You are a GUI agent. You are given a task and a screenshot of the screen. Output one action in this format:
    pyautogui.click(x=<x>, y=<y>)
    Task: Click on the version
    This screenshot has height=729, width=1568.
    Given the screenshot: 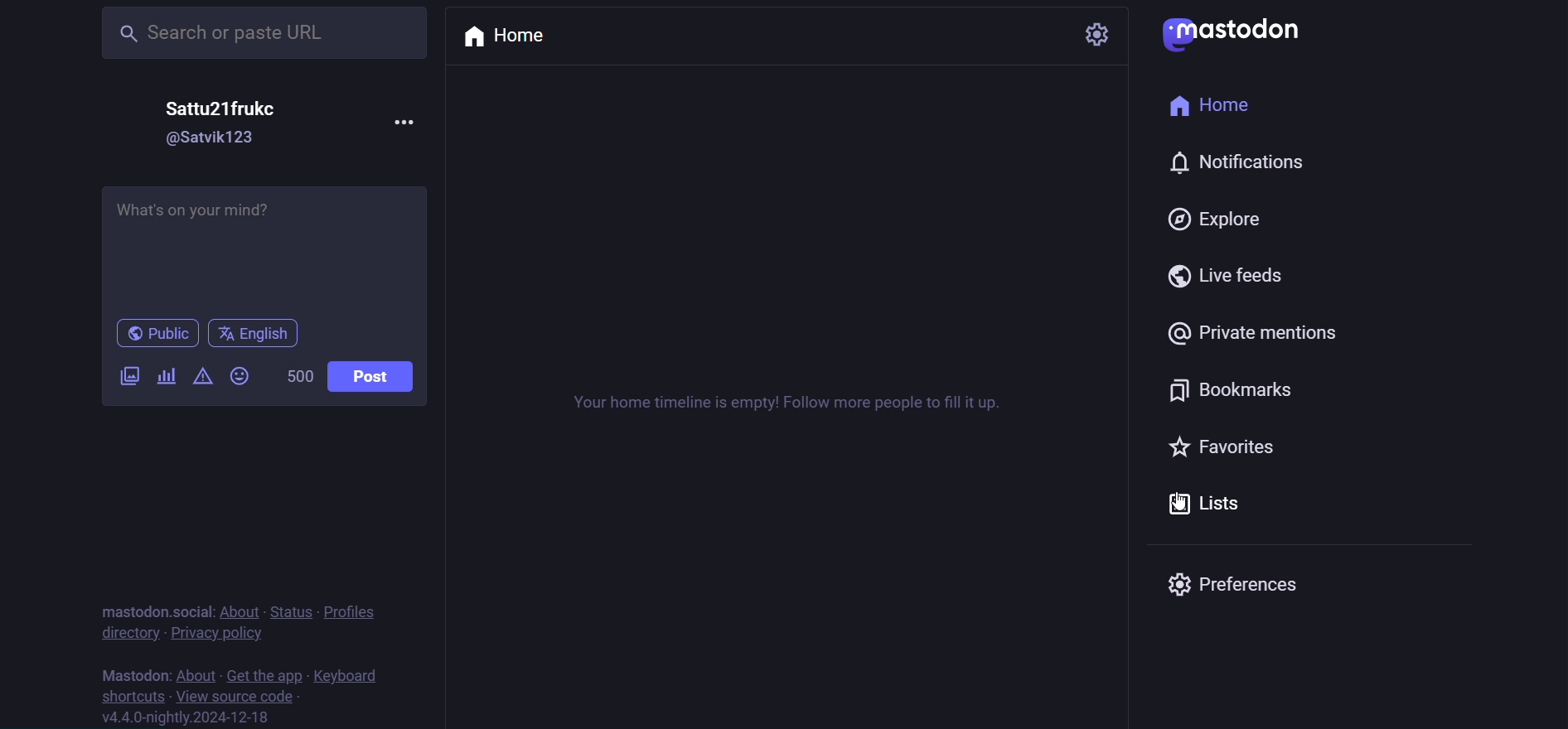 What is the action you would take?
    pyautogui.click(x=197, y=718)
    